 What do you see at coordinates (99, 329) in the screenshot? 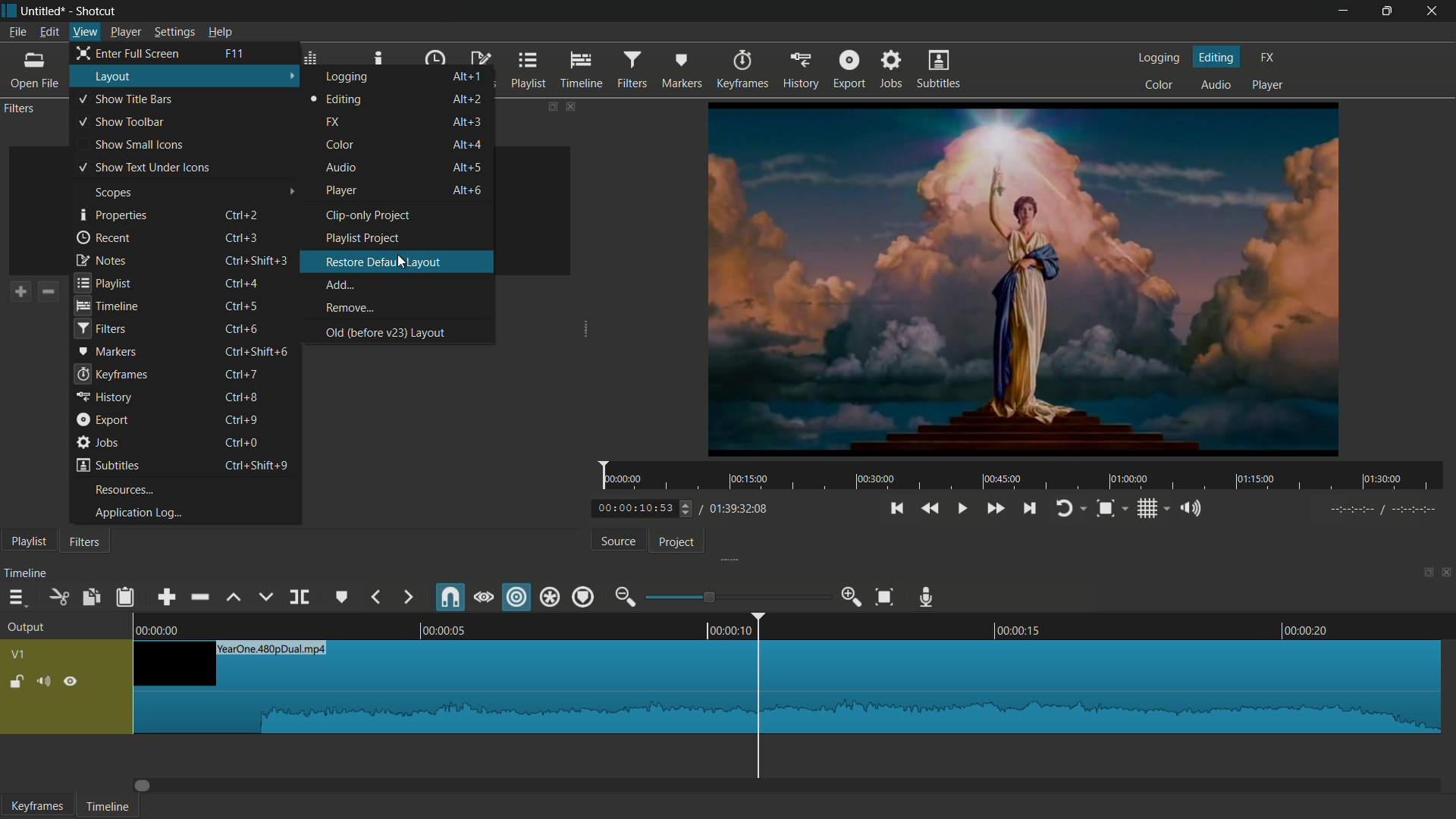
I see `filters` at bounding box center [99, 329].